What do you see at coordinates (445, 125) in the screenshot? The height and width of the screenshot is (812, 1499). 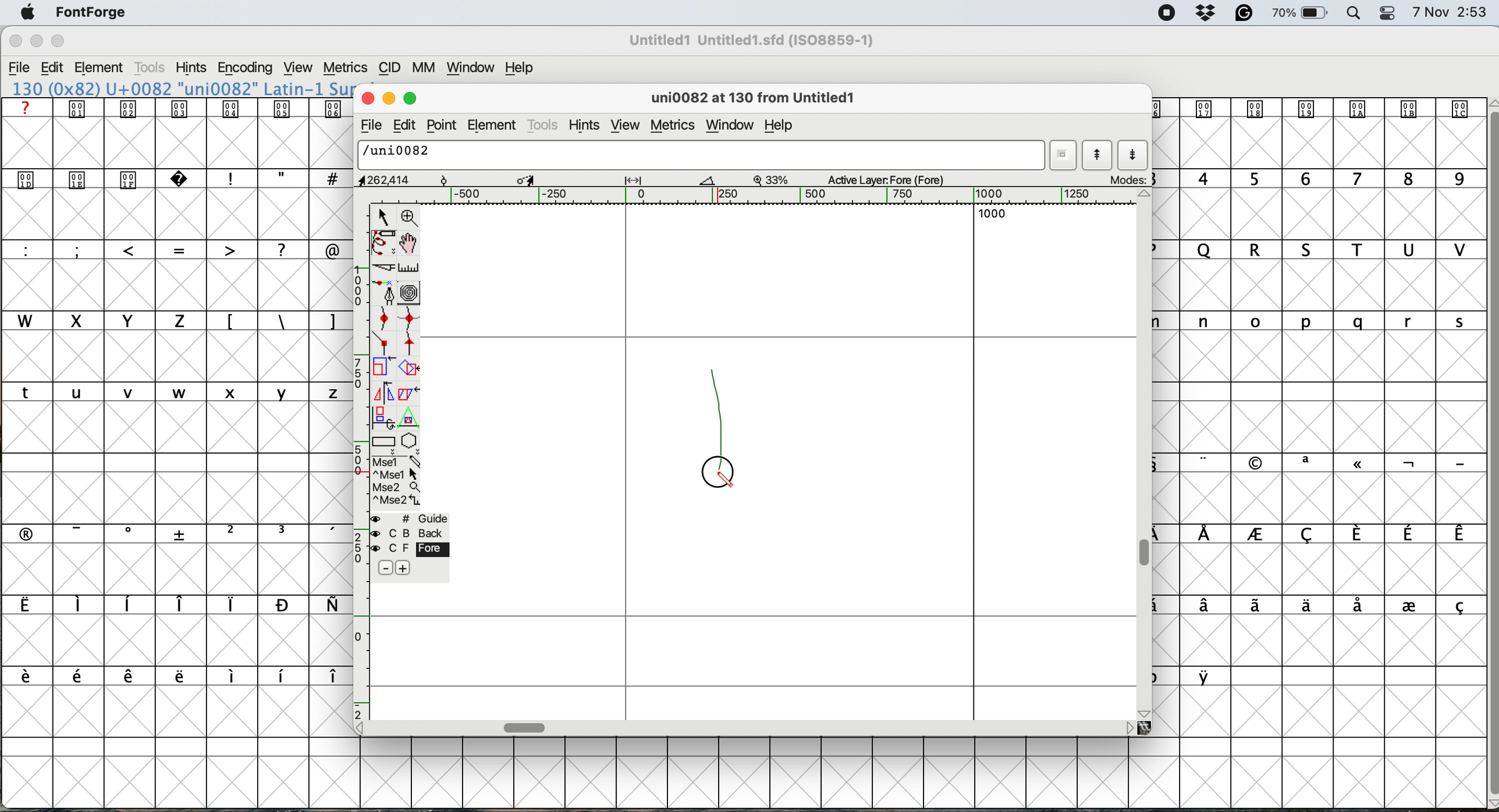 I see `point` at bounding box center [445, 125].